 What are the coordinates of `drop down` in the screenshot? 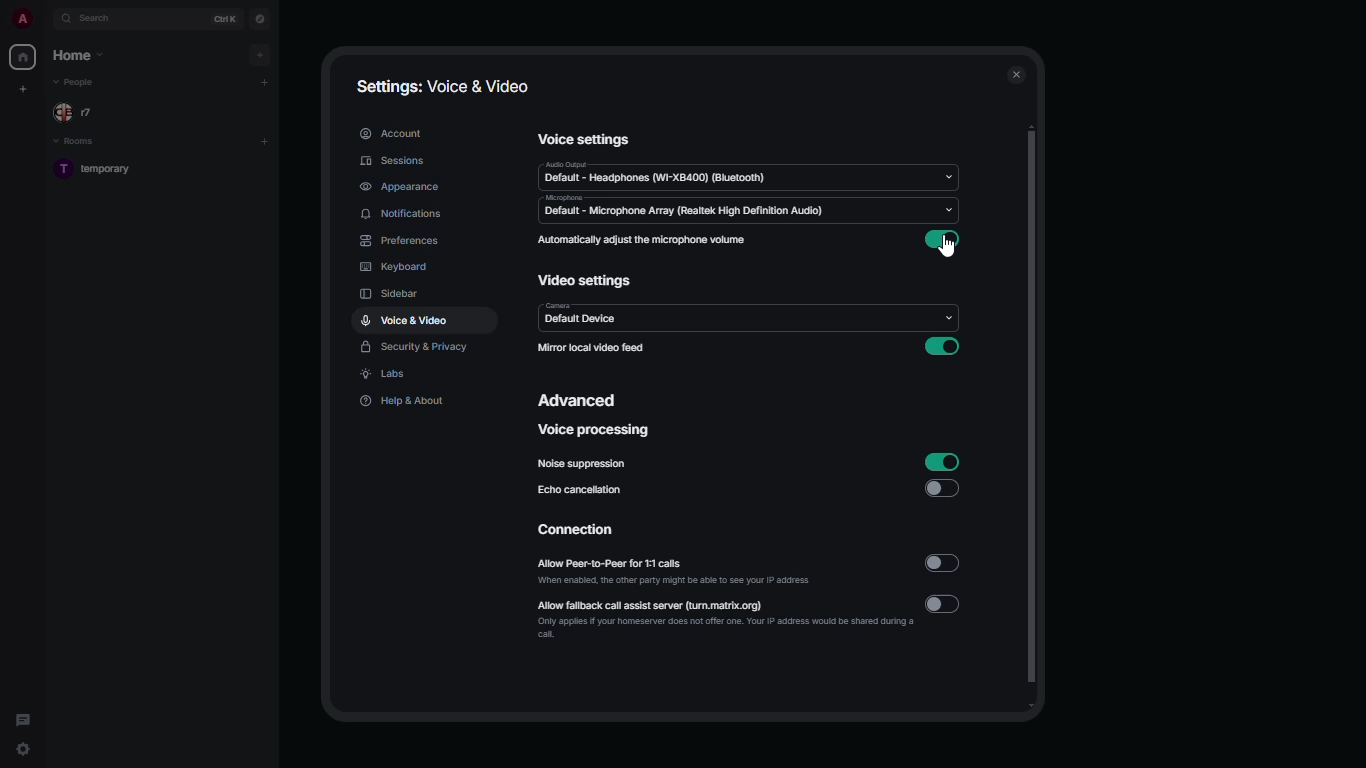 It's located at (950, 210).